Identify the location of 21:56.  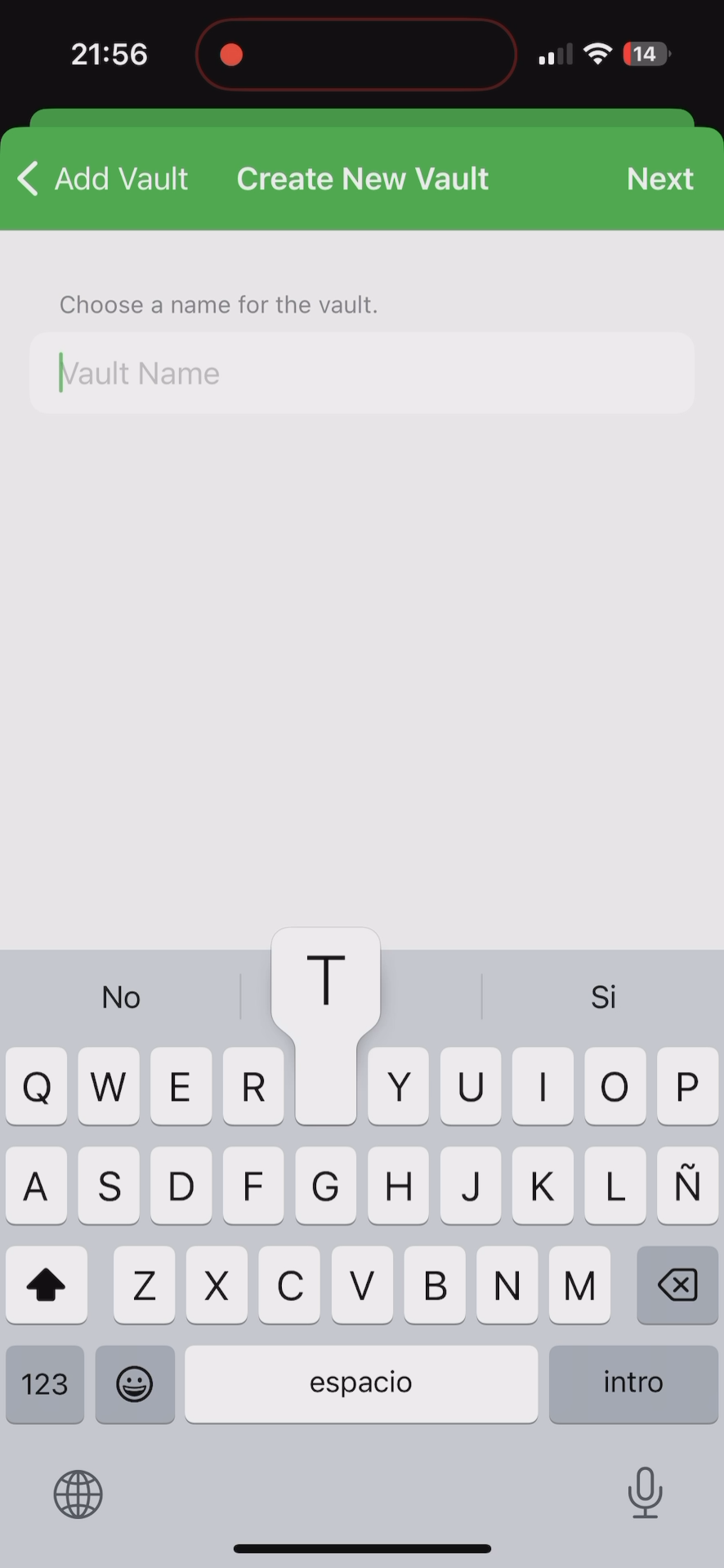
(107, 57).